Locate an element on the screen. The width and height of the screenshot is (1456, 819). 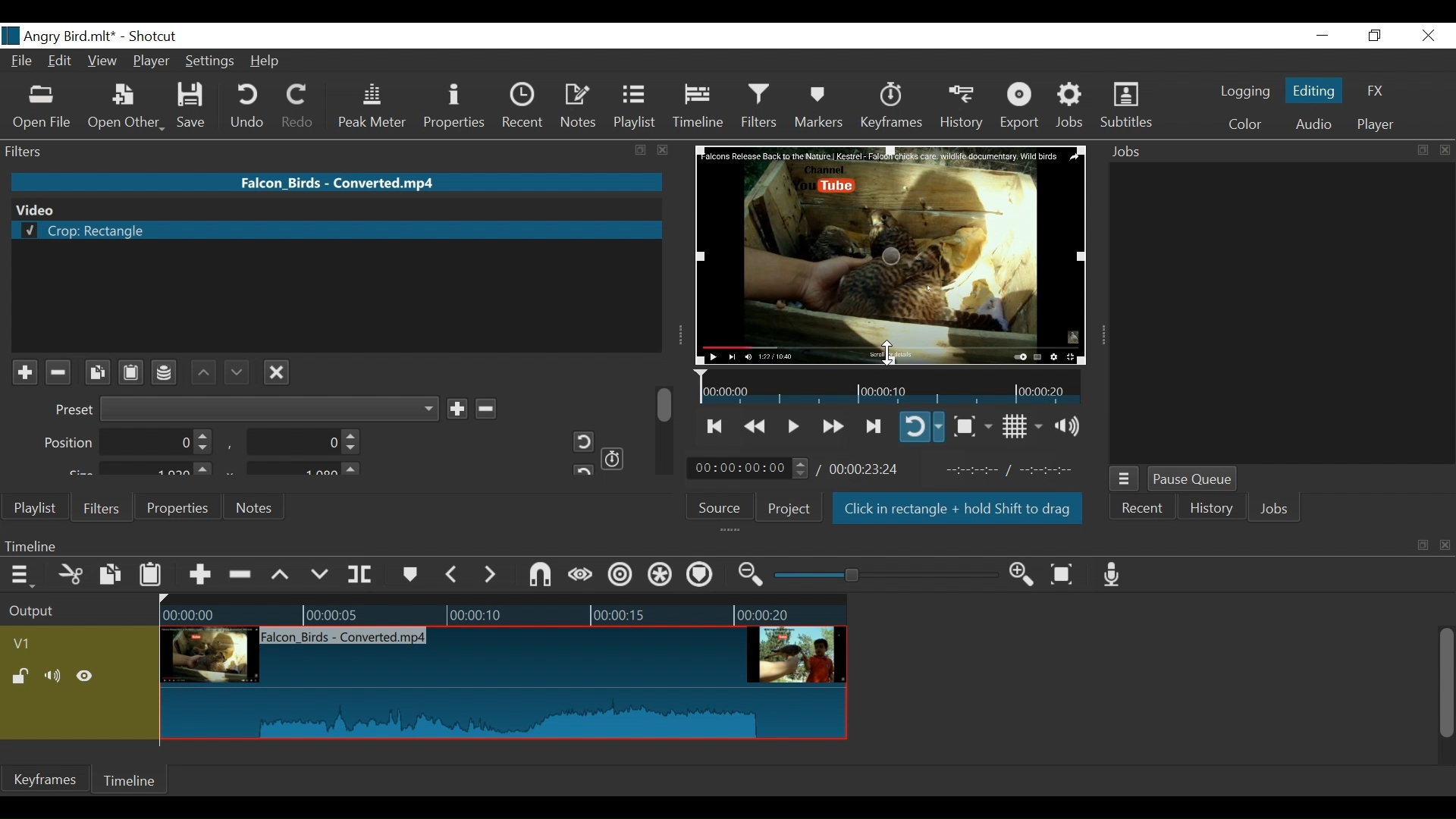
Stopwatch is located at coordinates (613, 457).